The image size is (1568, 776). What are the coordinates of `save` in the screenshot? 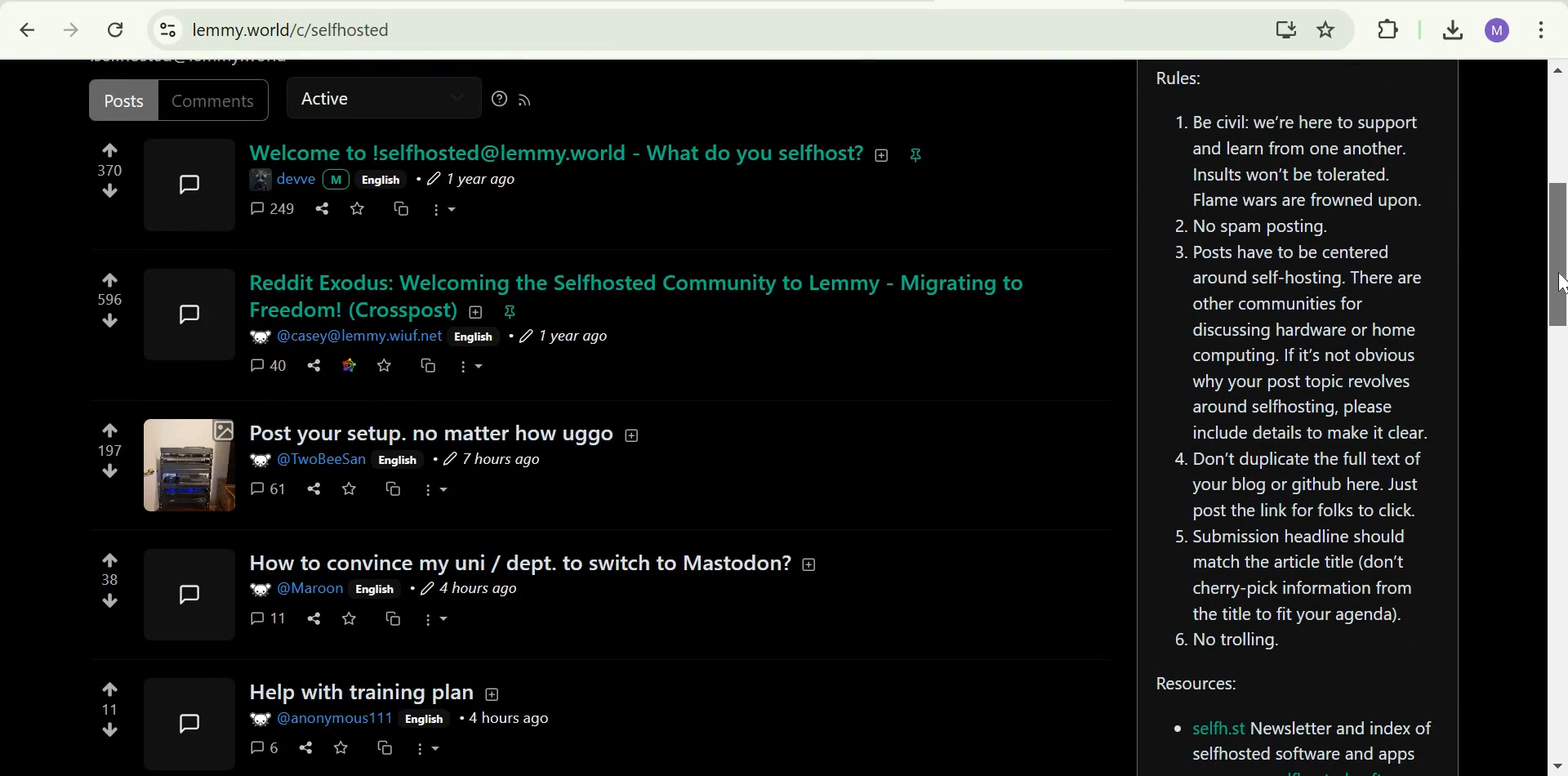 It's located at (386, 365).